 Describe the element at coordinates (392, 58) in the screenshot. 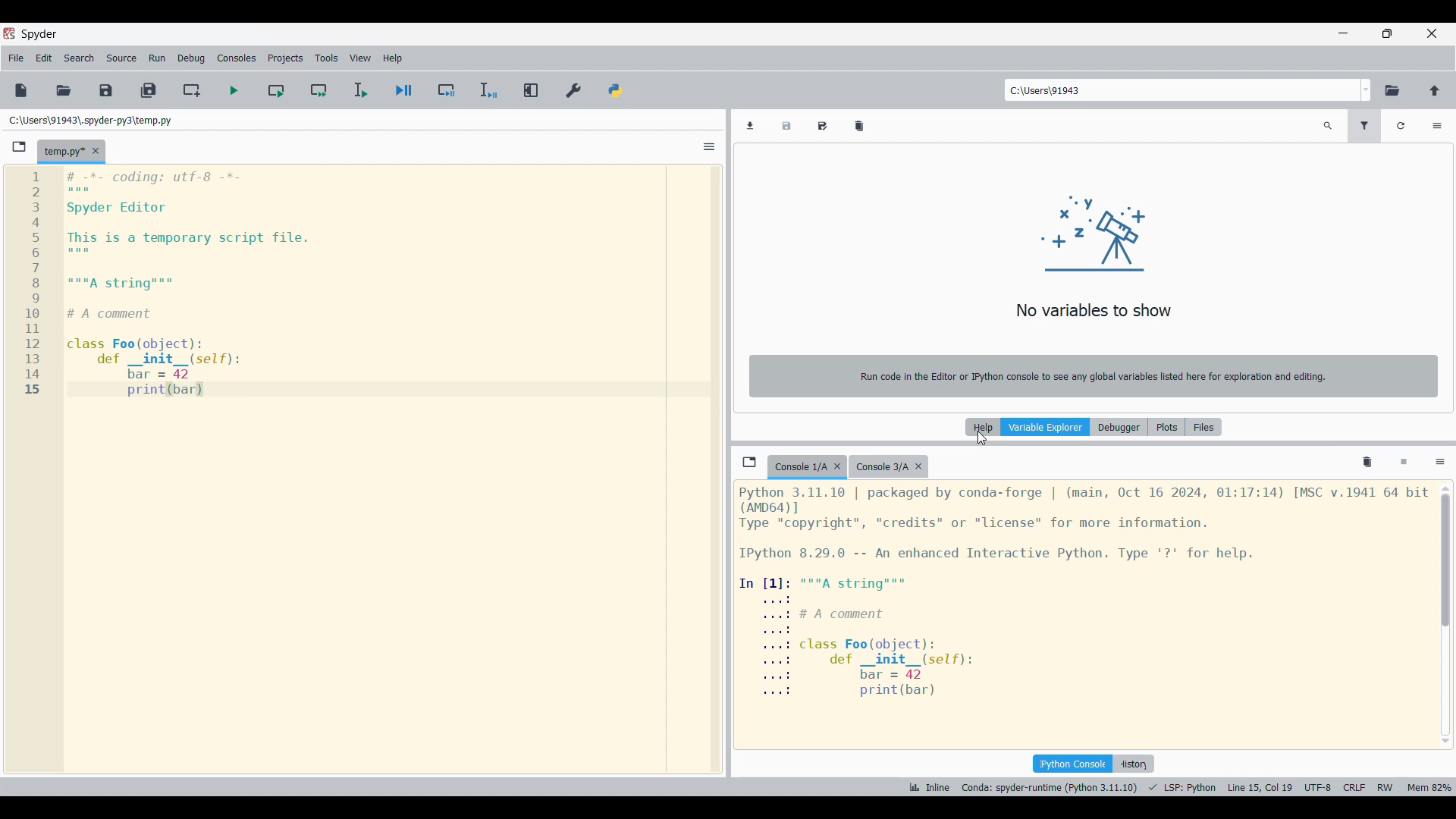

I see `Help menu` at that location.